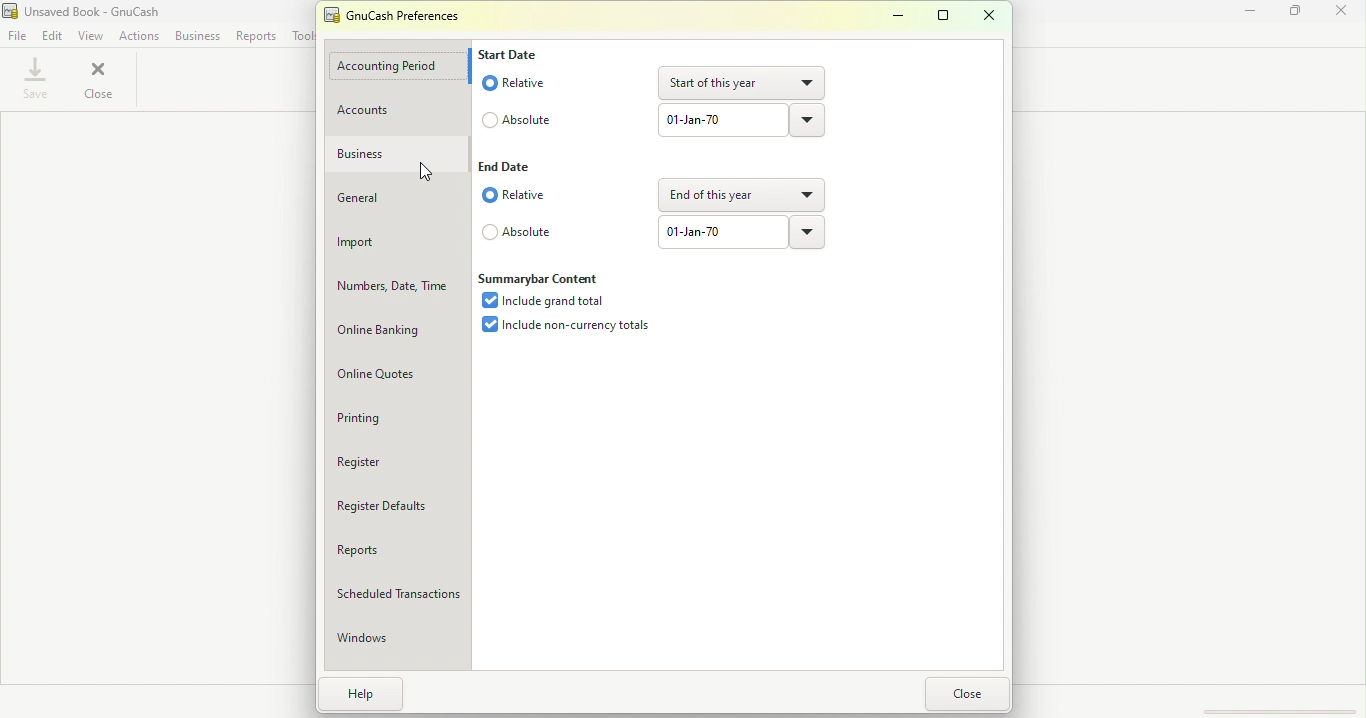 This screenshot has height=718, width=1366. What do you see at coordinates (513, 167) in the screenshot?
I see `End date` at bounding box center [513, 167].